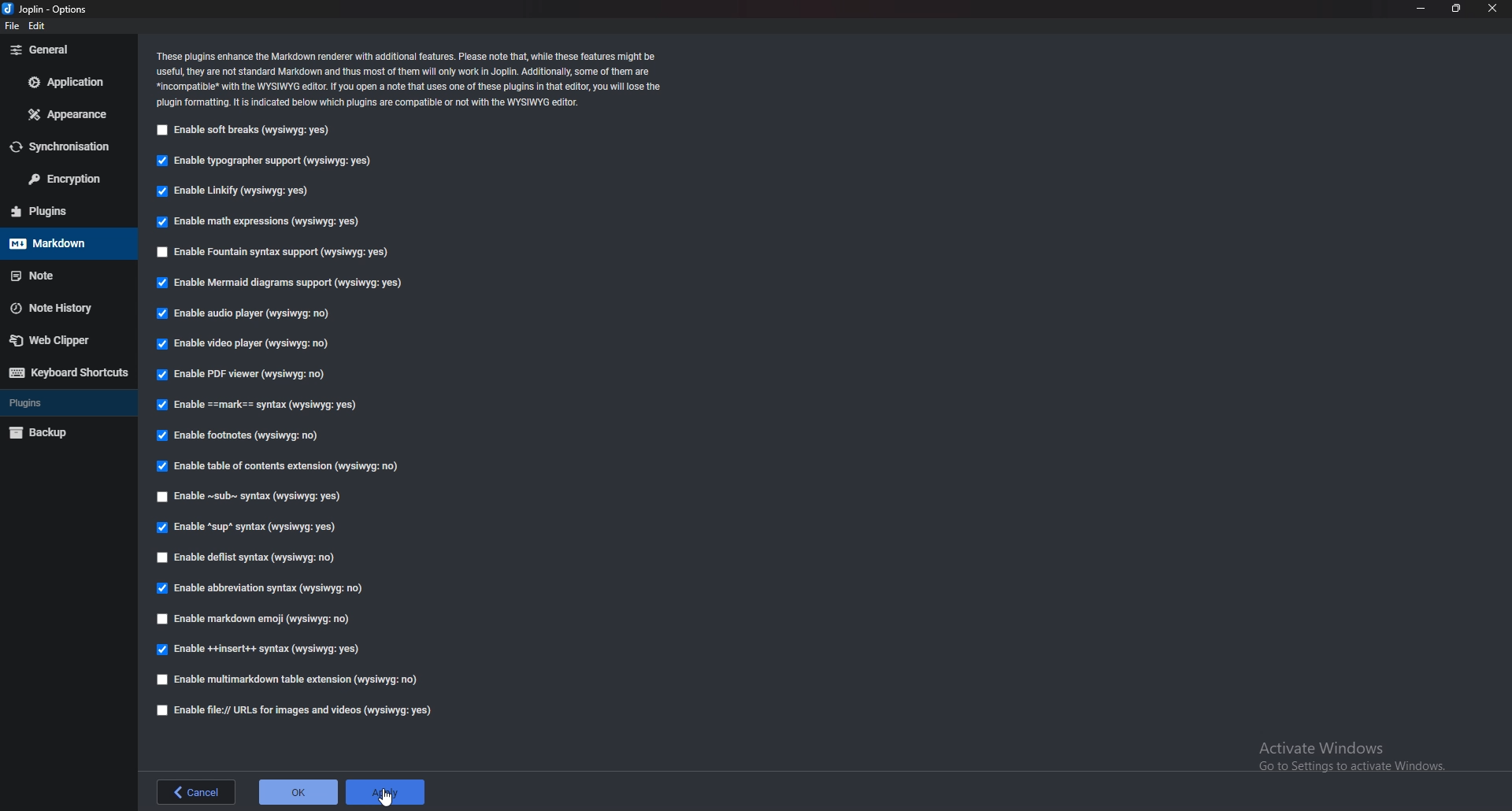  What do you see at coordinates (67, 403) in the screenshot?
I see `plugins` at bounding box center [67, 403].